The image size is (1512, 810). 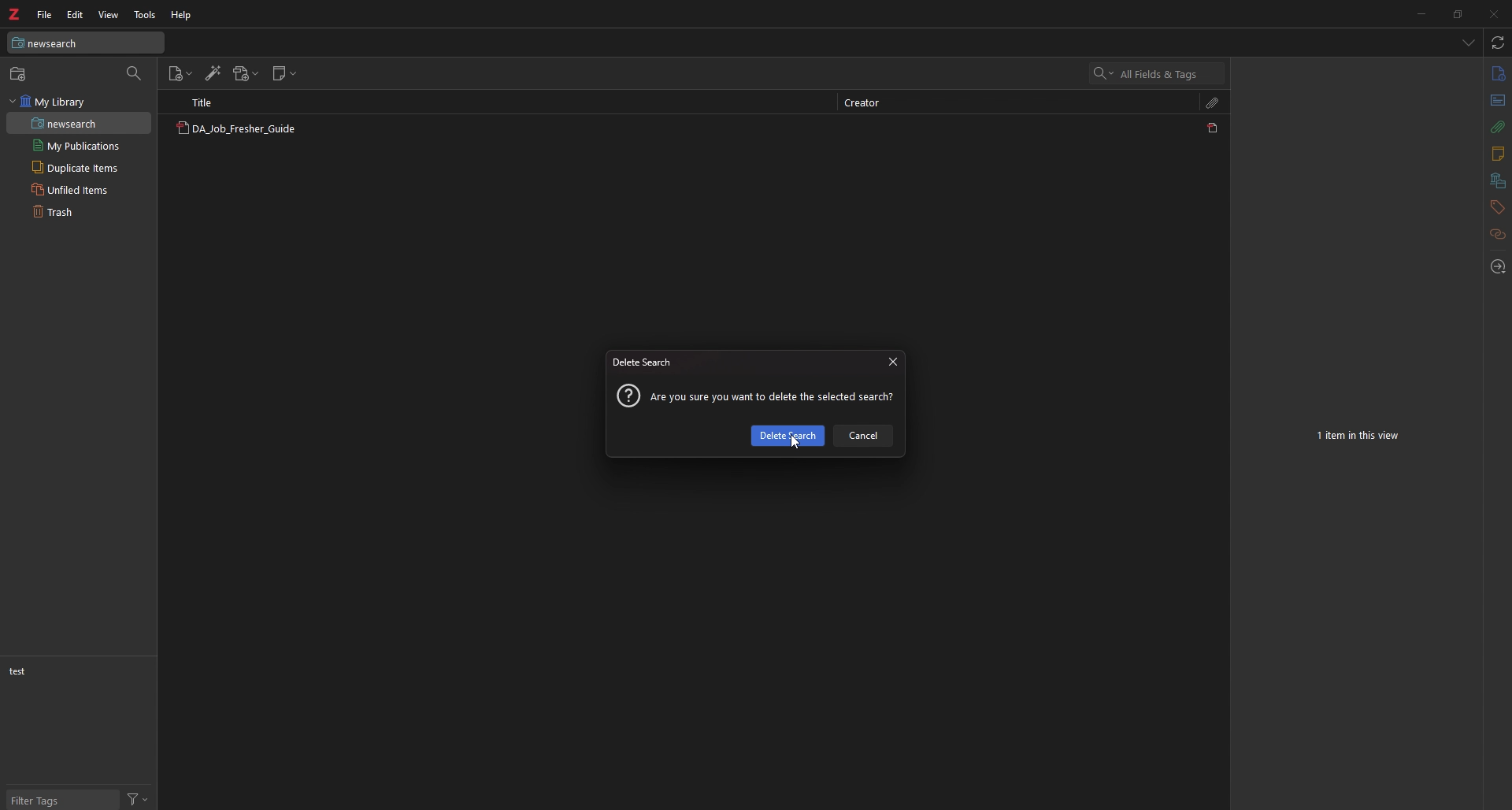 I want to click on mouse cursor, so click(x=794, y=441).